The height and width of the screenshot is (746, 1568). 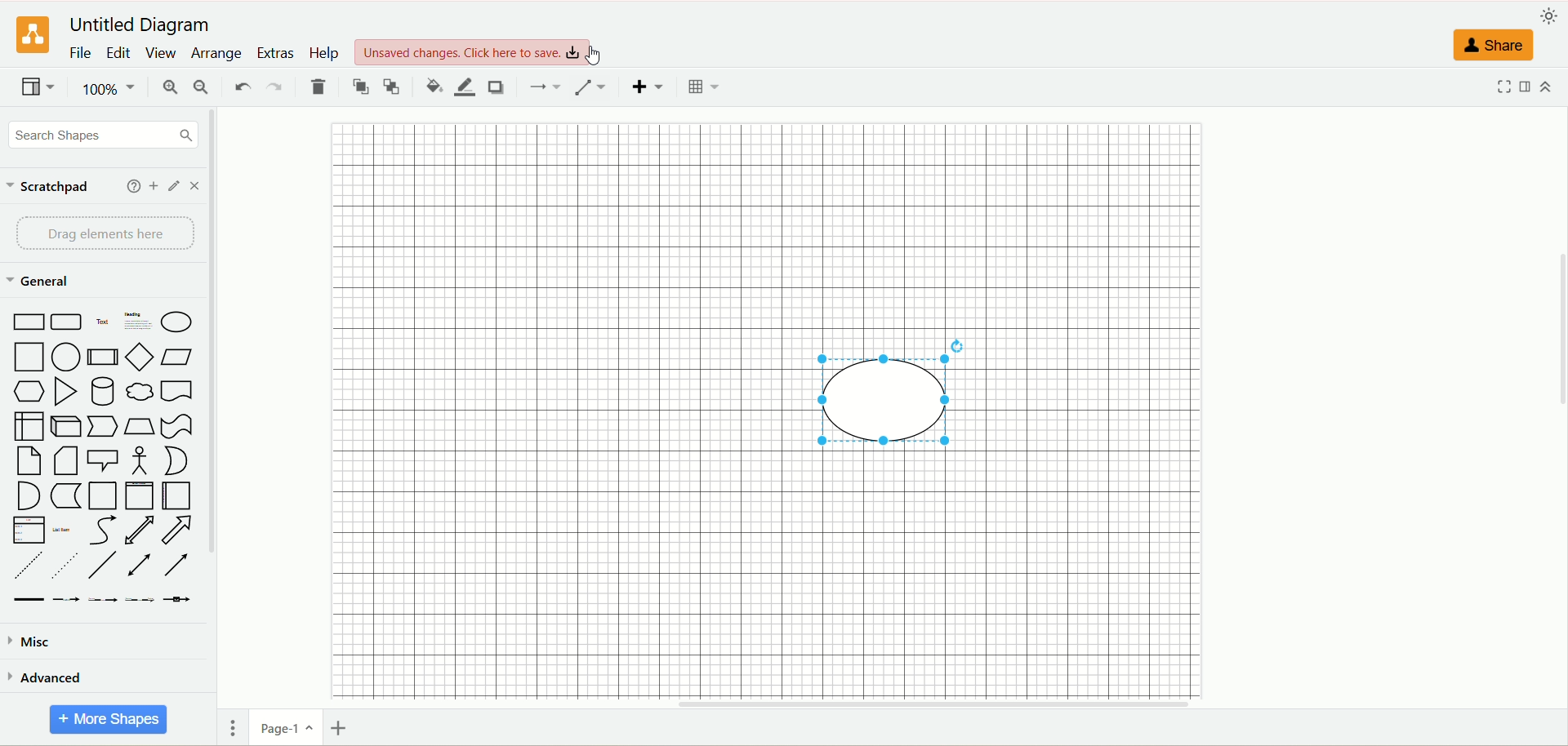 What do you see at coordinates (275, 52) in the screenshot?
I see `extras` at bounding box center [275, 52].